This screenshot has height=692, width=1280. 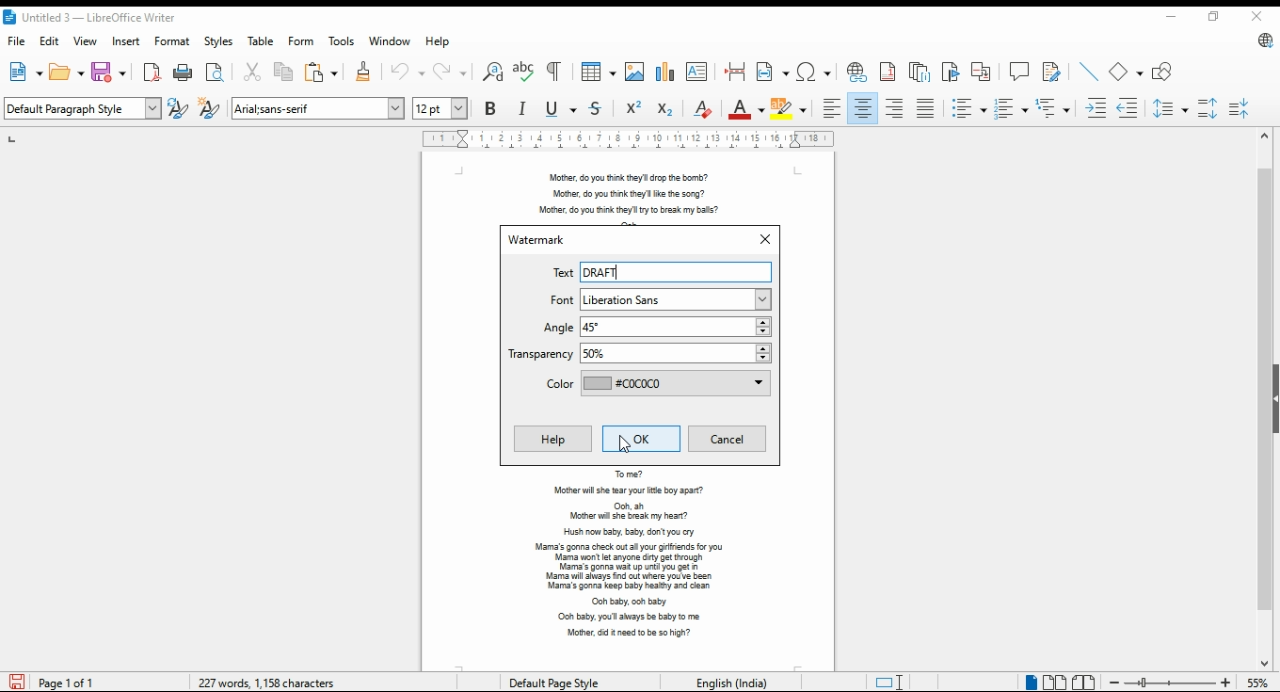 I want to click on superscript, so click(x=633, y=108).